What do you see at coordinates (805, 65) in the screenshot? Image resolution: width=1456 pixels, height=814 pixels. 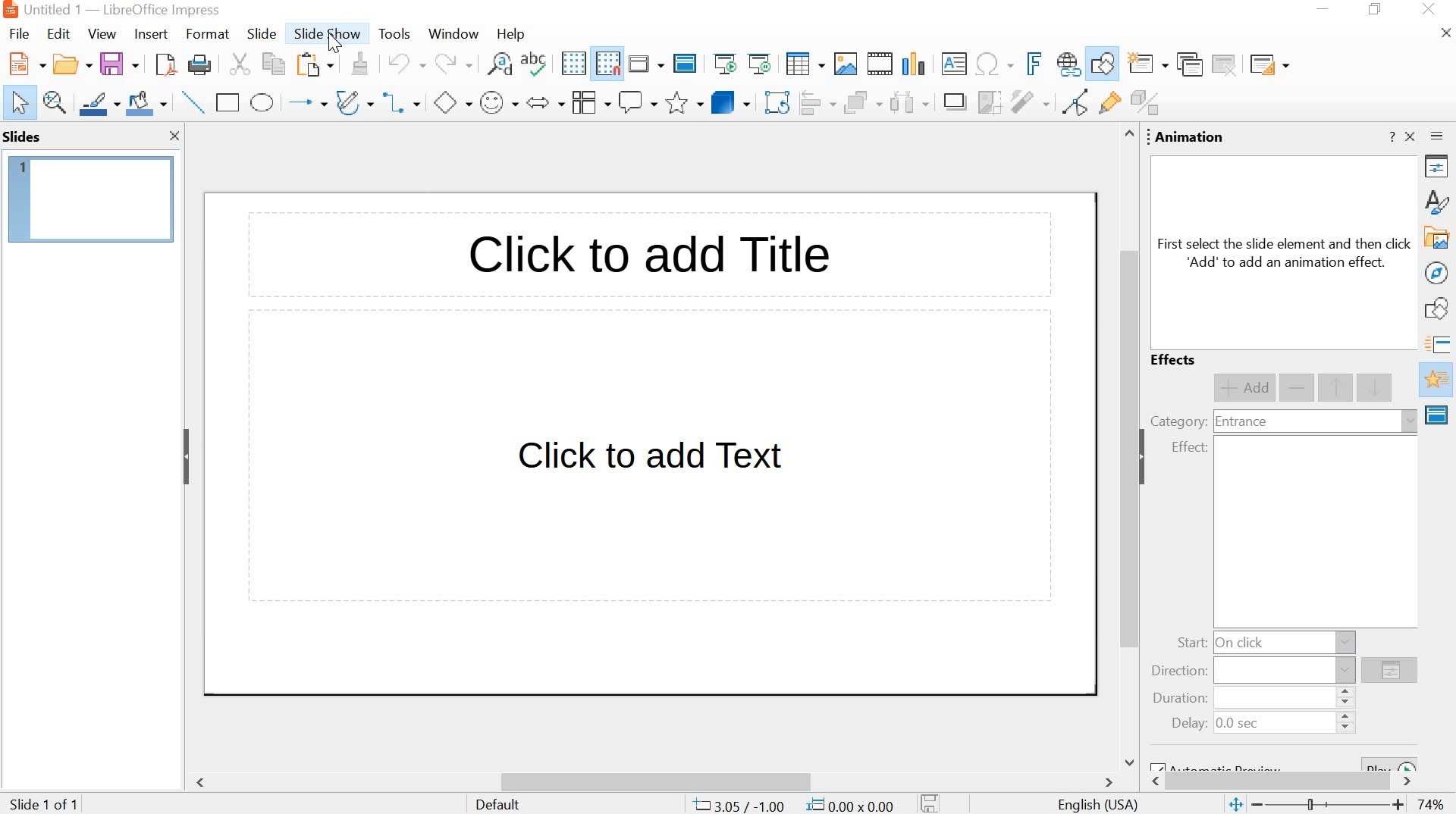 I see `insert table` at bounding box center [805, 65].